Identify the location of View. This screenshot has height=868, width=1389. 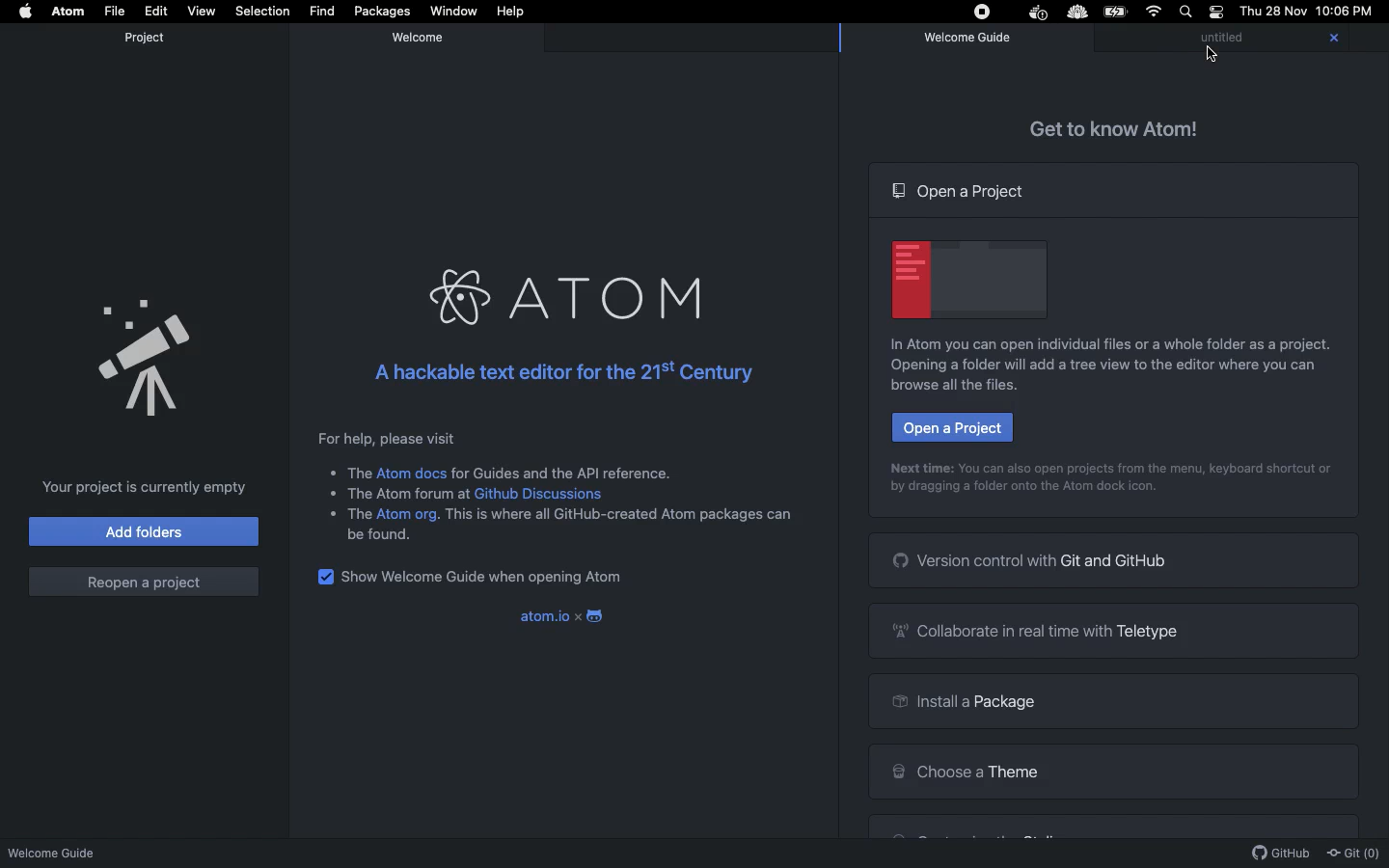
(199, 10).